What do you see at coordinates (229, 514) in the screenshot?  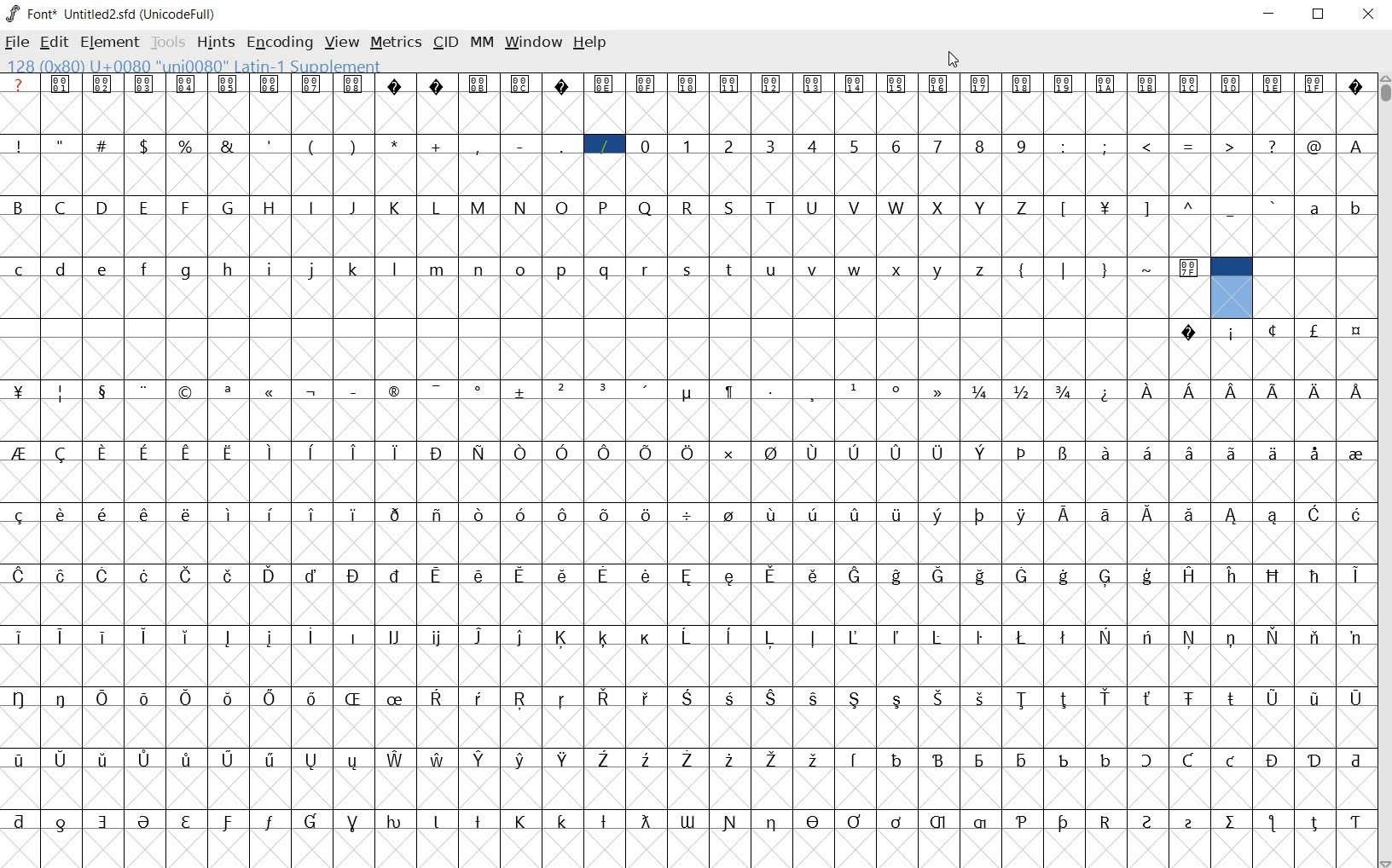 I see `Symbol` at bounding box center [229, 514].